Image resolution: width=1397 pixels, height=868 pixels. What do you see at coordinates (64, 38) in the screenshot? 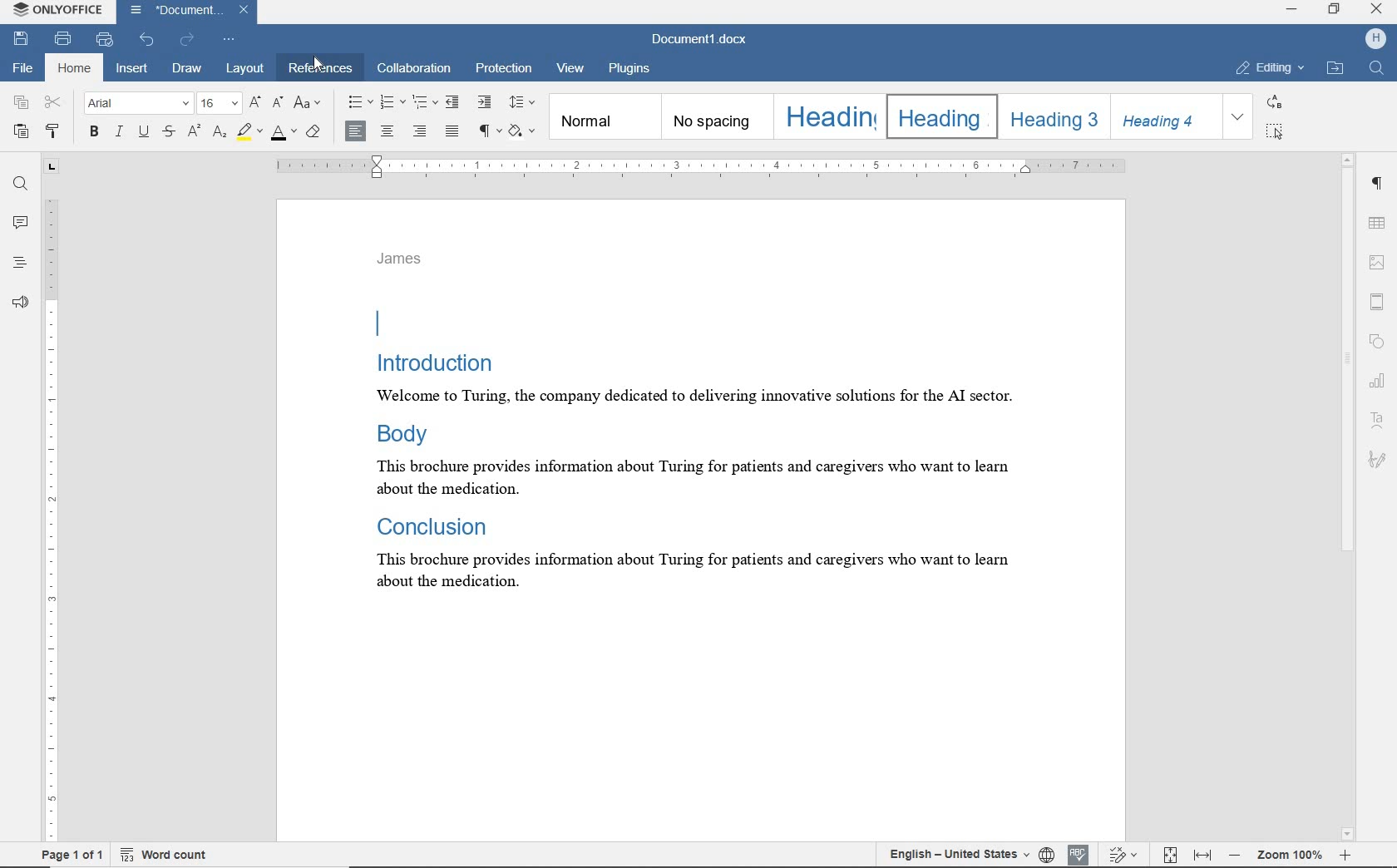
I see `print` at bounding box center [64, 38].